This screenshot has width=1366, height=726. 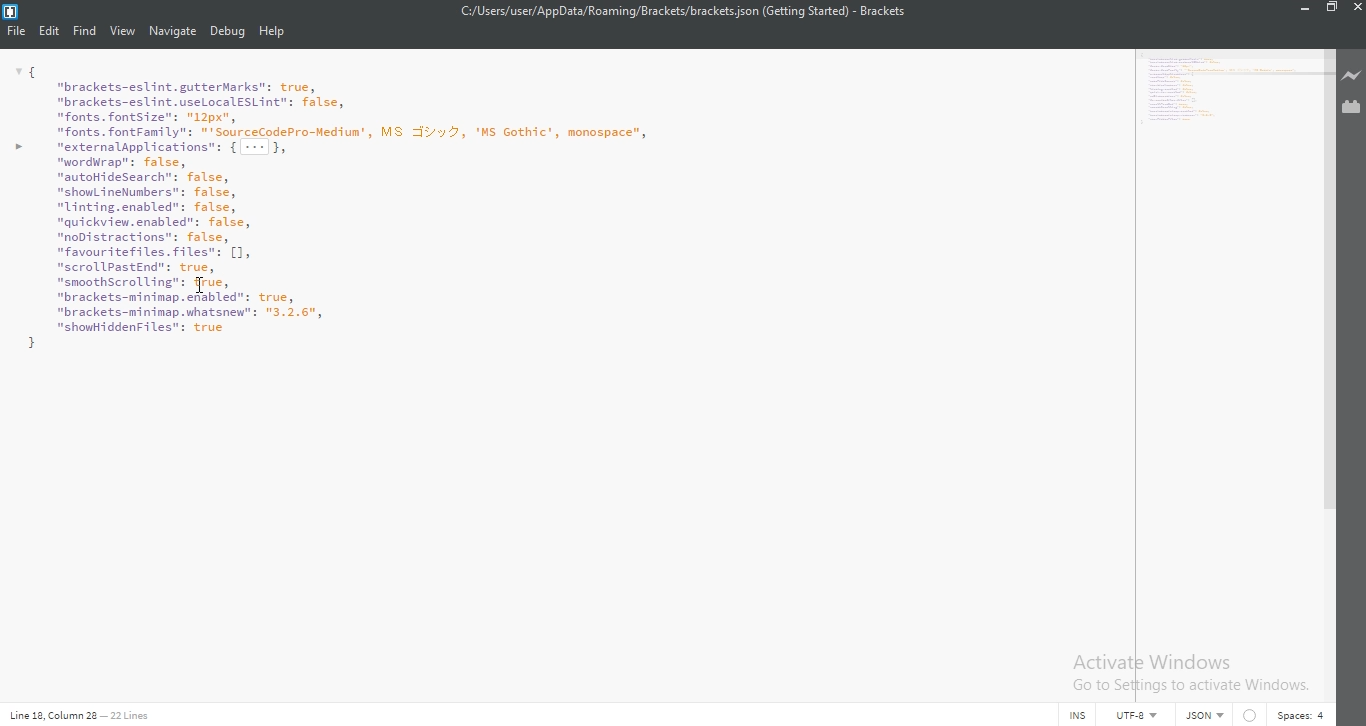 What do you see at coordinates (1225, 92) in the screenshot?
I see `M | "brackets-eslint. gutterMarks": true, "brackets-eslint.useLocalESLint": false, fonts. fontSize": "1px", fonts. fontFamily": "'SourceCodePro-Hediua', MS TJ'y%, 'MS Gothic’, monospace”, > externalapplications™: { ---|}, "wordurap": false, “autoHideSearch”: false, "showLineNumbers": false, "Linting.enabled": false, “quickview.cnabled”: false, "noDistractions": false, "favouritefiles. Files": [1, "scrollPastEnd": true, "smoothScrol ling”: false, "brackets-mininap. enabled": true, "brackets-mininap.whatsnew": "3.2.6", "showiddenFiles": true H` at bounding box center [1225, 92].